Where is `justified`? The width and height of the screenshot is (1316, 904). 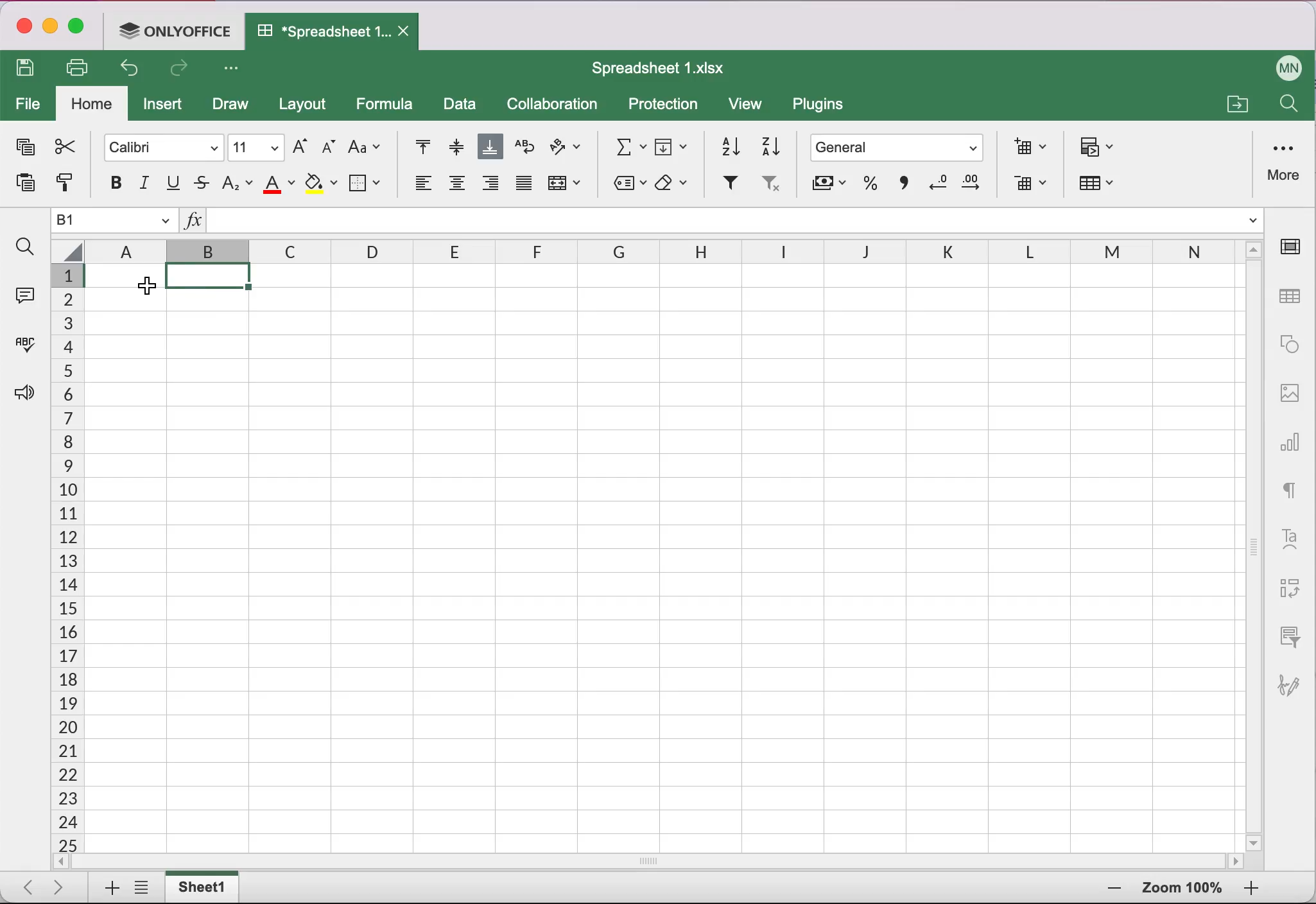
justified is located at coordinates (523, 187).